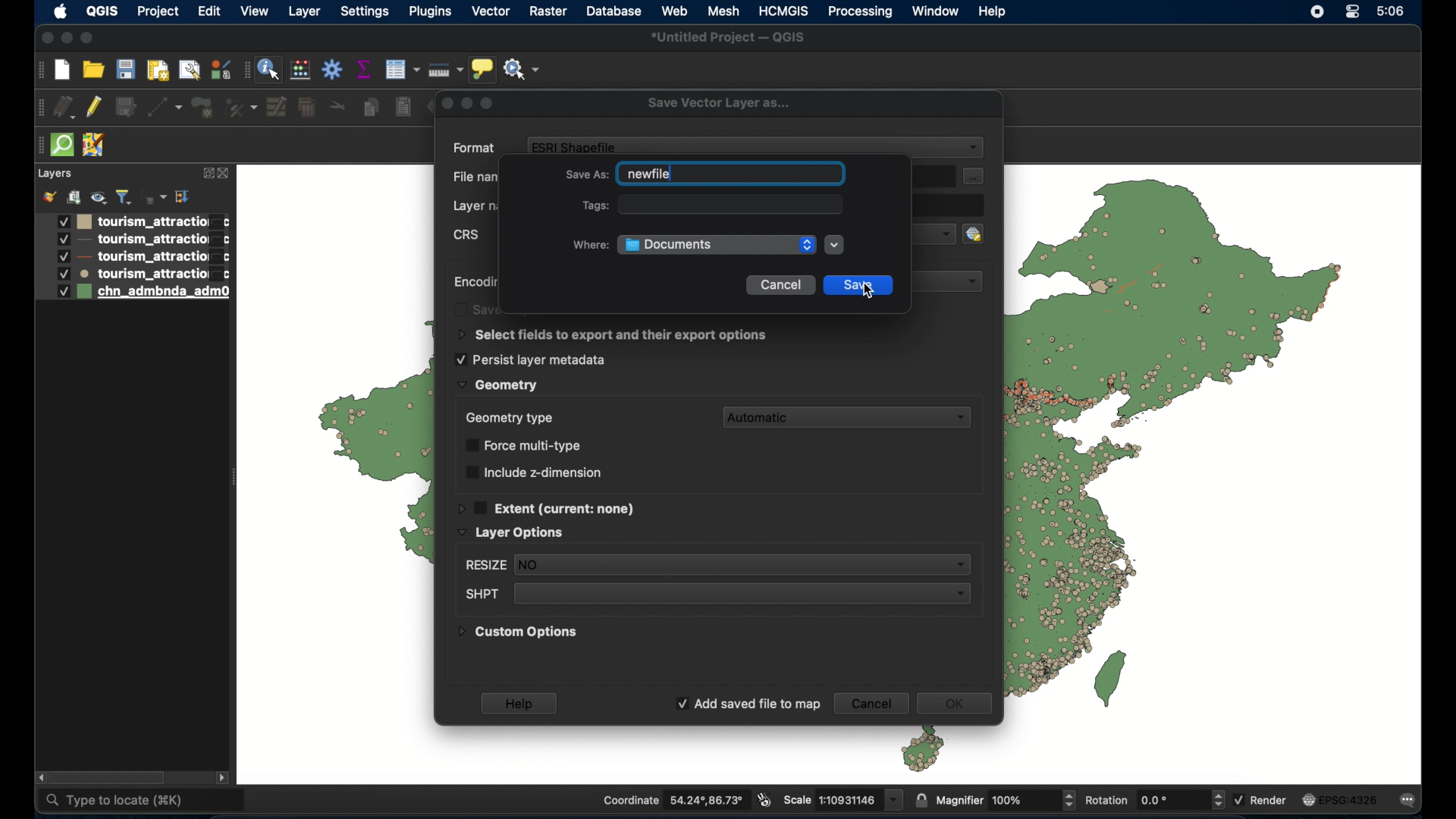 The height and width of the screenshot is (819, 1456). Describe the element at coordinates (402, 71) in the screenshot. I see `open attribute table` at that location.